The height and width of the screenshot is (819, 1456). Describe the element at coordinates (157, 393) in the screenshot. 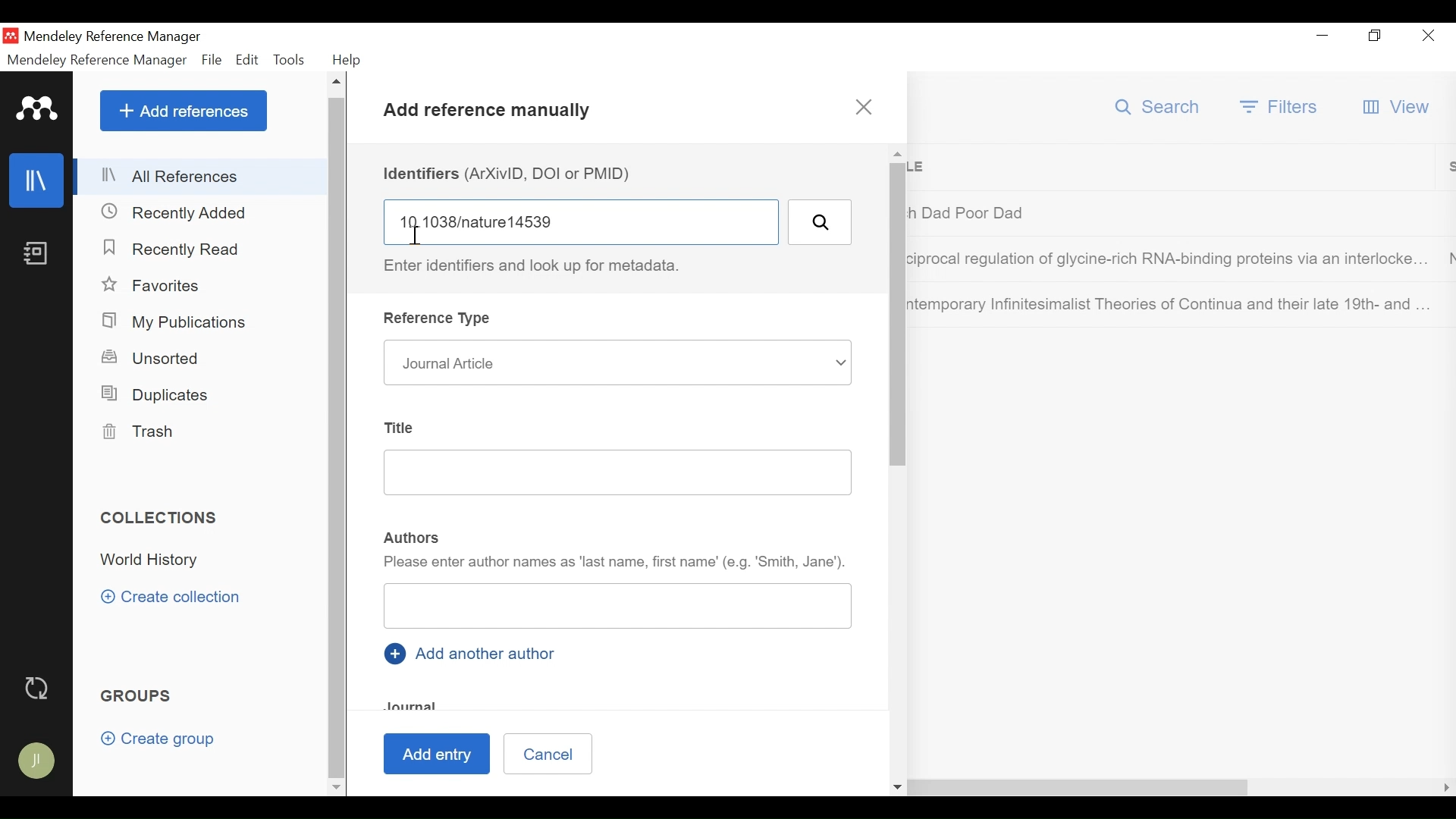

I see `Duplicates` at that location.